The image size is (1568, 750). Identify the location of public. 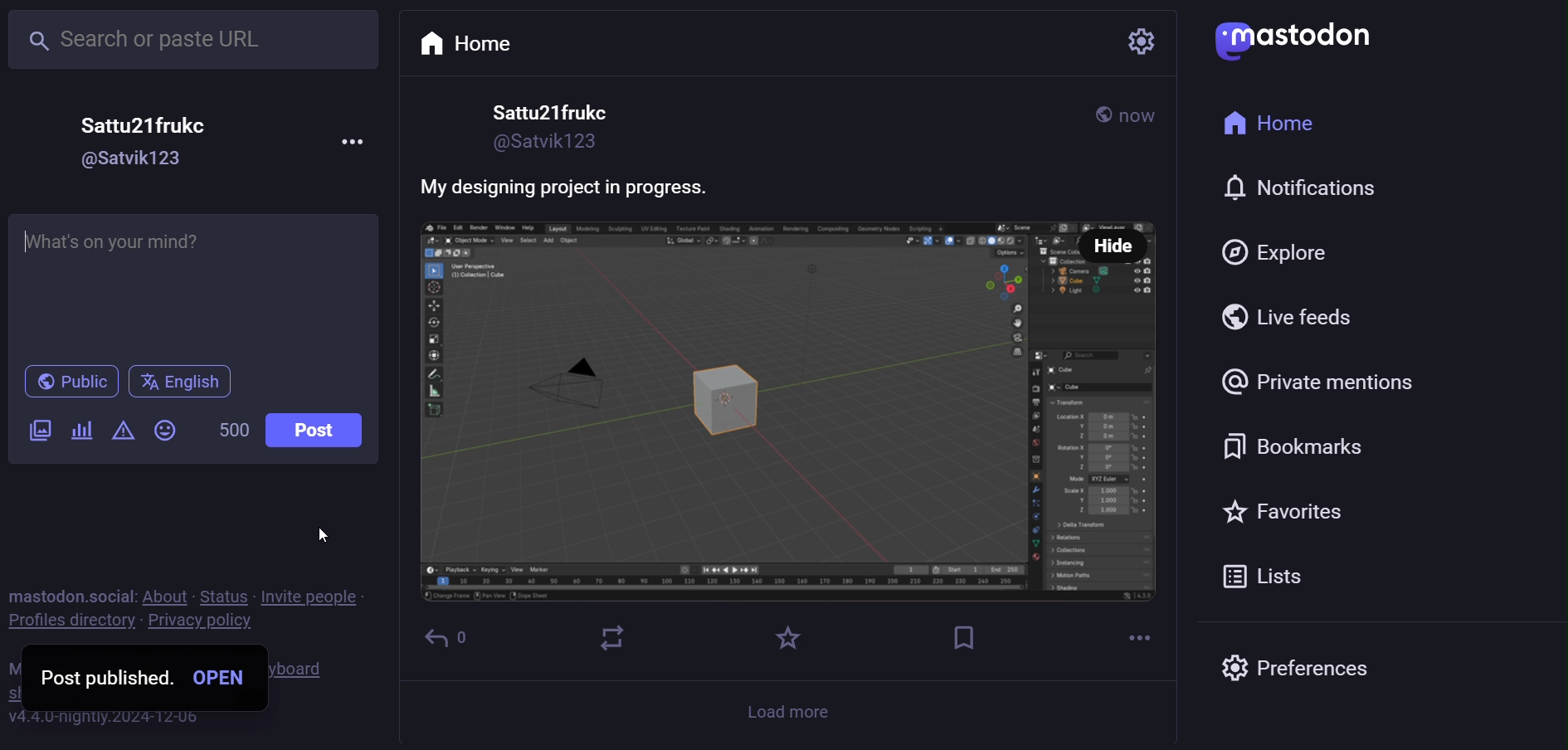
(1100, 115).